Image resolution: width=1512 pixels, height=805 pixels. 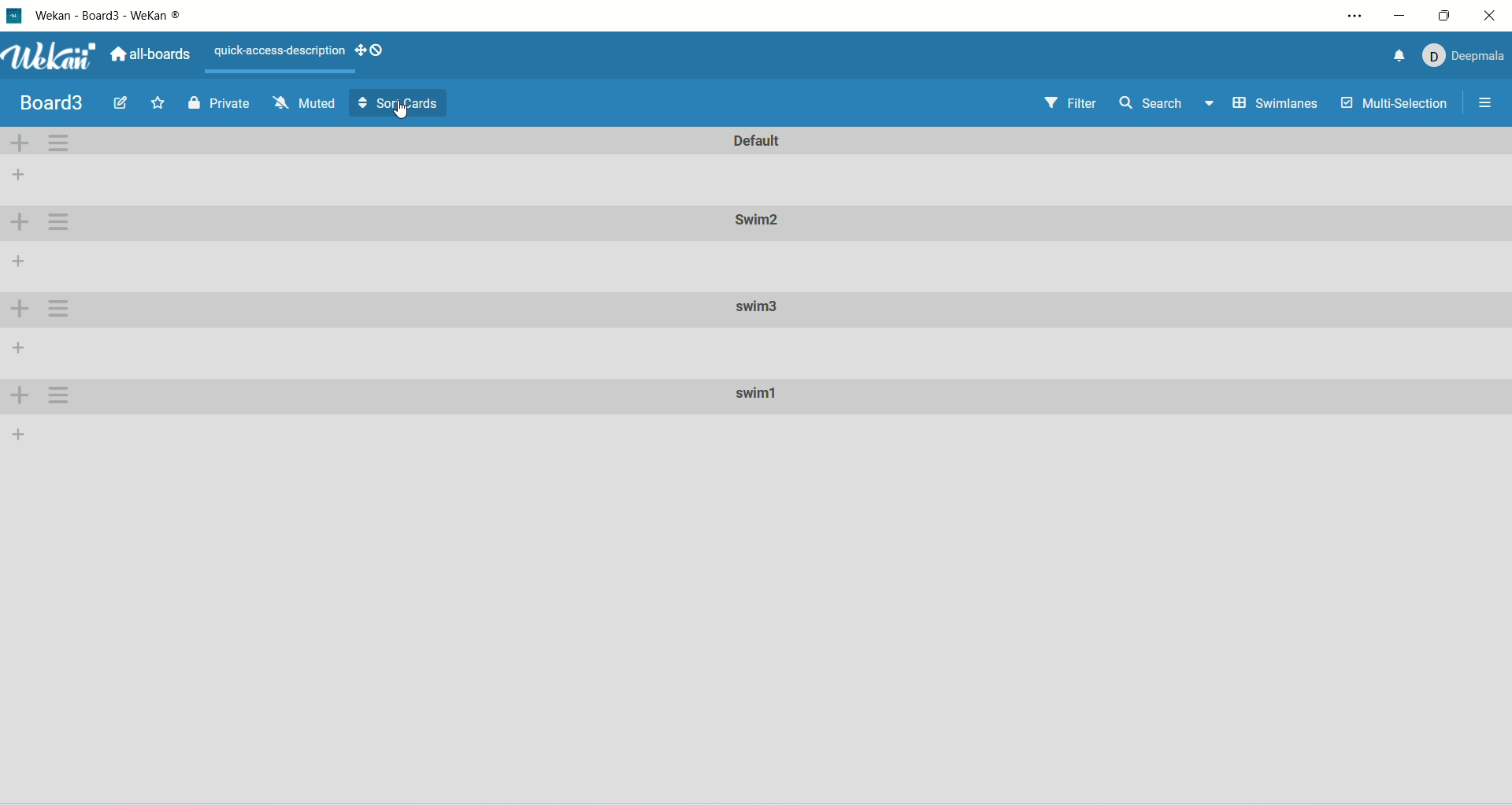 I want to click on filter, so click(x=1072, y=106).